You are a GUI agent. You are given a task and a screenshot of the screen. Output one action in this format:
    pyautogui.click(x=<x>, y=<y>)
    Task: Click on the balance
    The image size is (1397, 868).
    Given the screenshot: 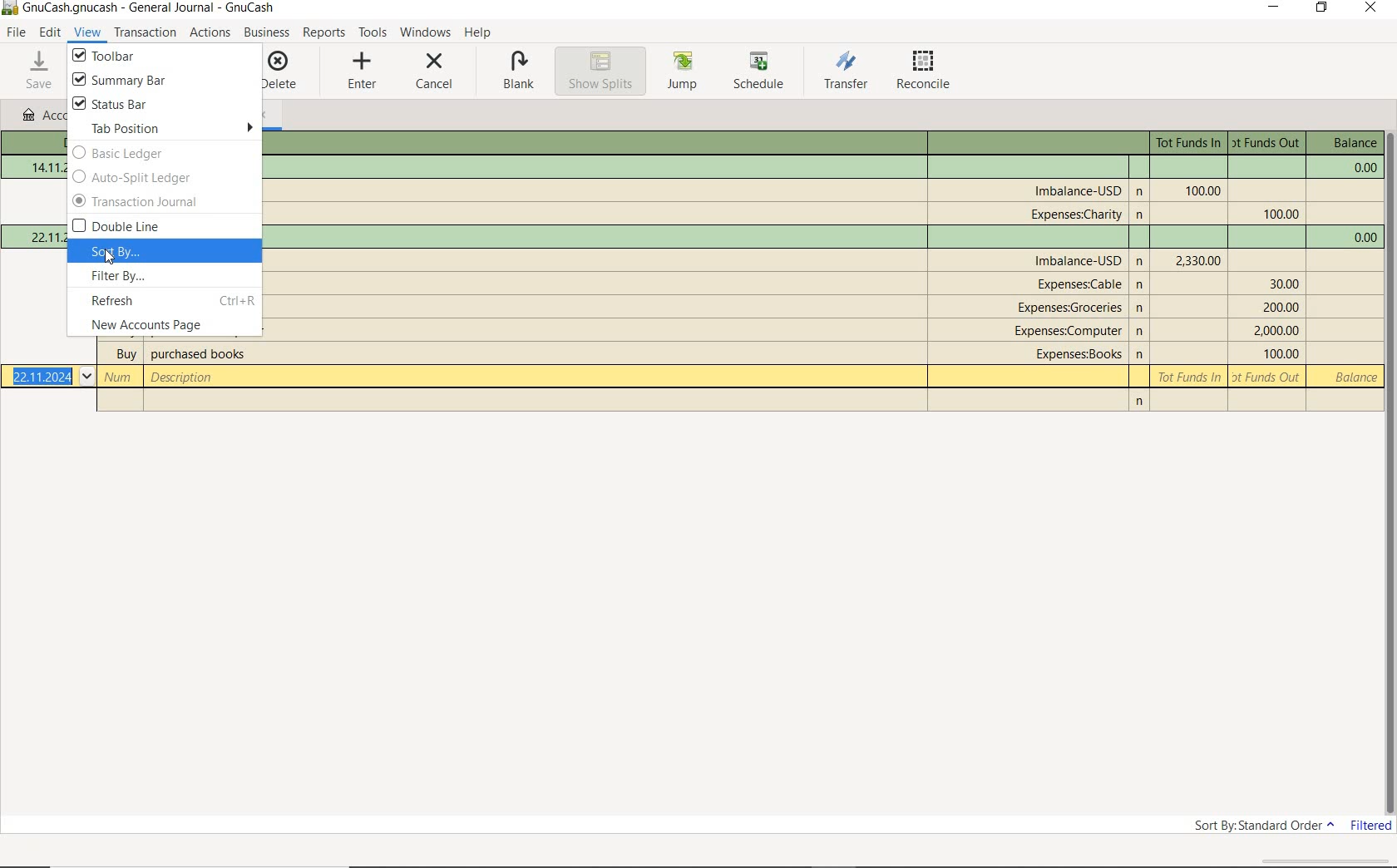 What is the action you would take?
    pyautogui.click(x=1361, y=169)
    